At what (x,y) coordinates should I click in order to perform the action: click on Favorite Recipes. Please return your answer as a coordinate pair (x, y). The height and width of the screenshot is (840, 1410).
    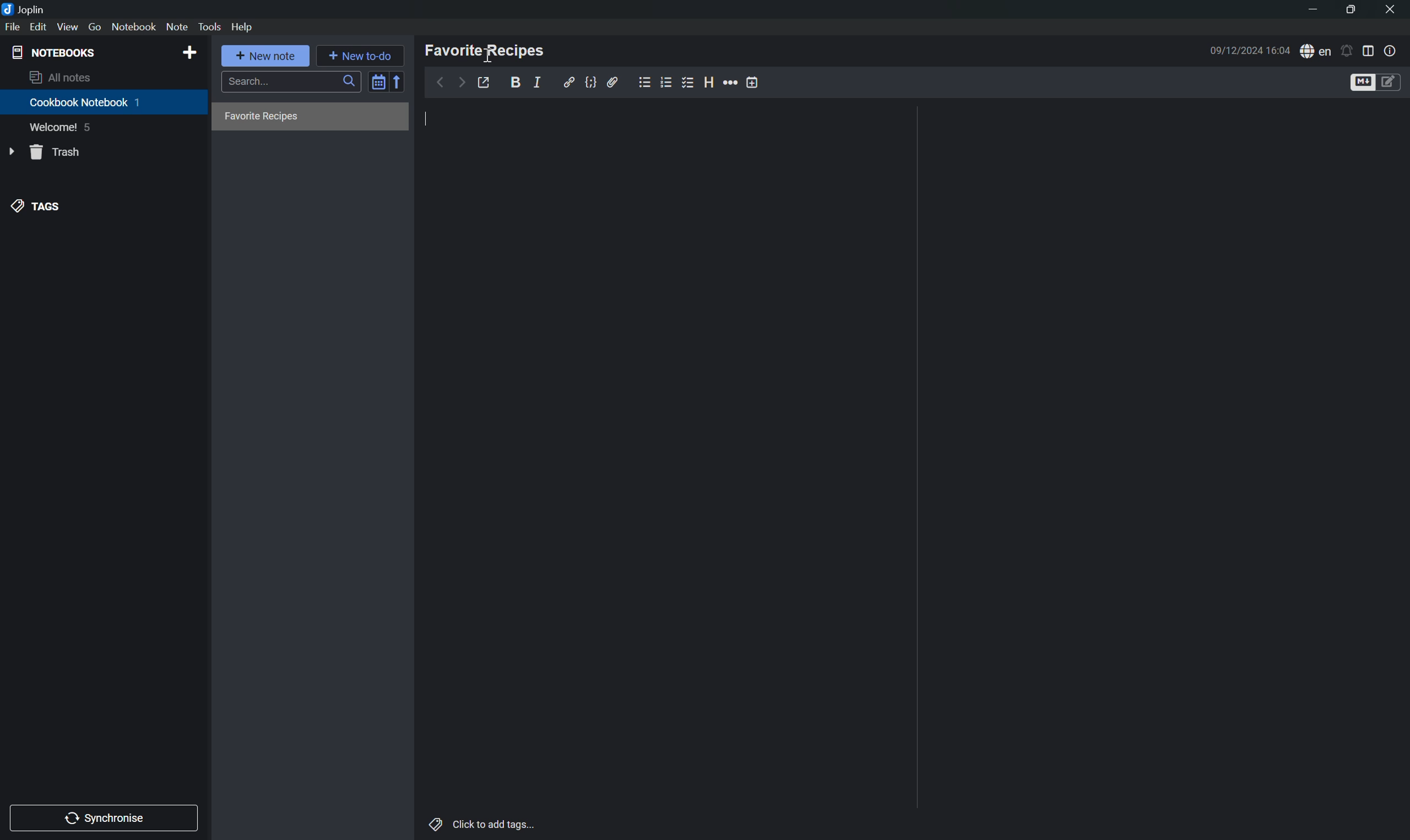
    Looking at the image, I should click on (486, 50).